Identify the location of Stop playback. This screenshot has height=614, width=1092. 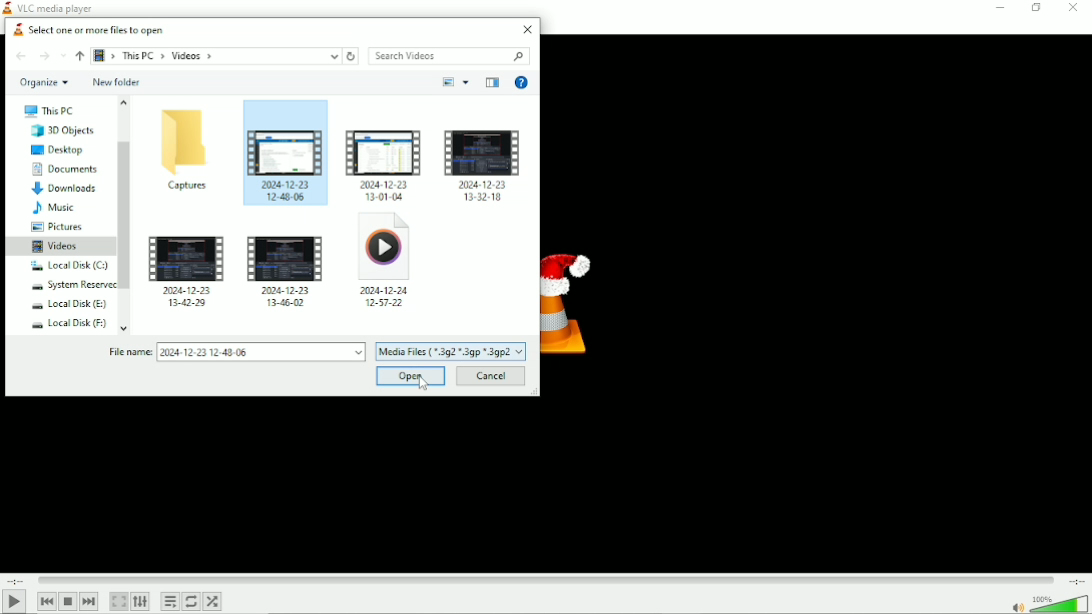
(68, 601).